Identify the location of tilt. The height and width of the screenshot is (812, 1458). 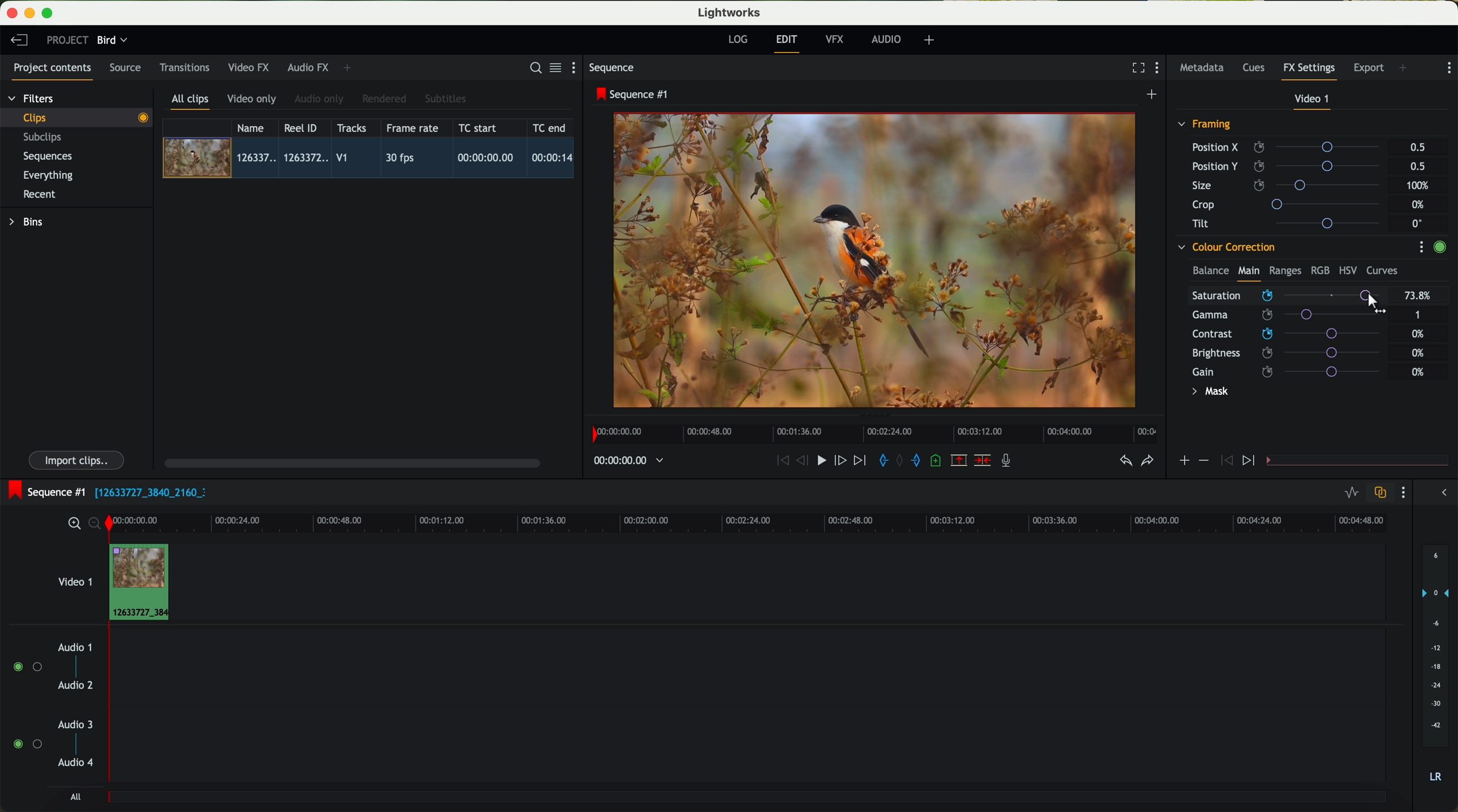
(1291, 223).